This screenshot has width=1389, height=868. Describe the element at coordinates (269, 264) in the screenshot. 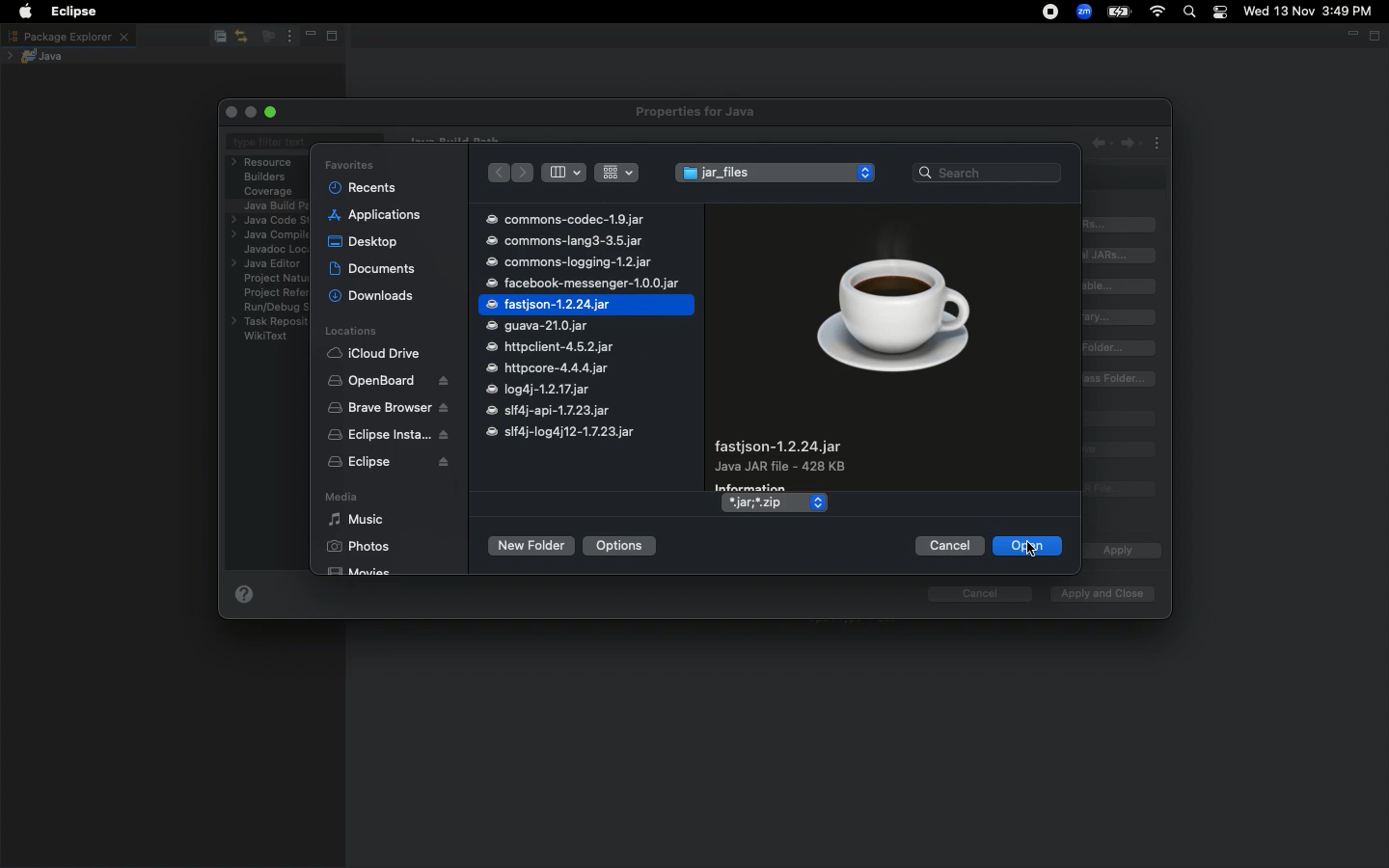

I see `Java editor` at that location.